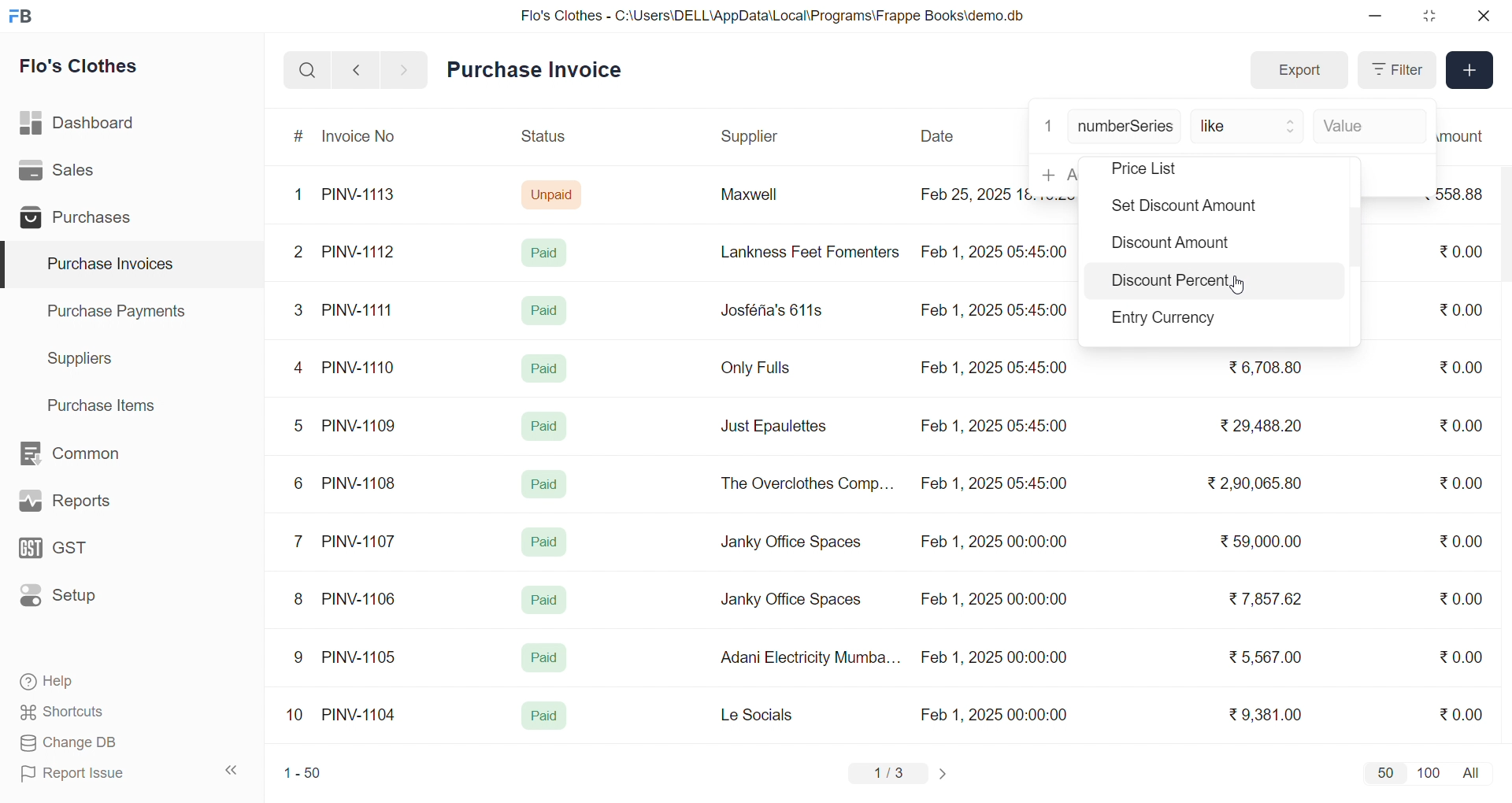  Describe the element at coordinates (1266, 543) in the screenshot. I see `₹ 59,000.00` at that location.